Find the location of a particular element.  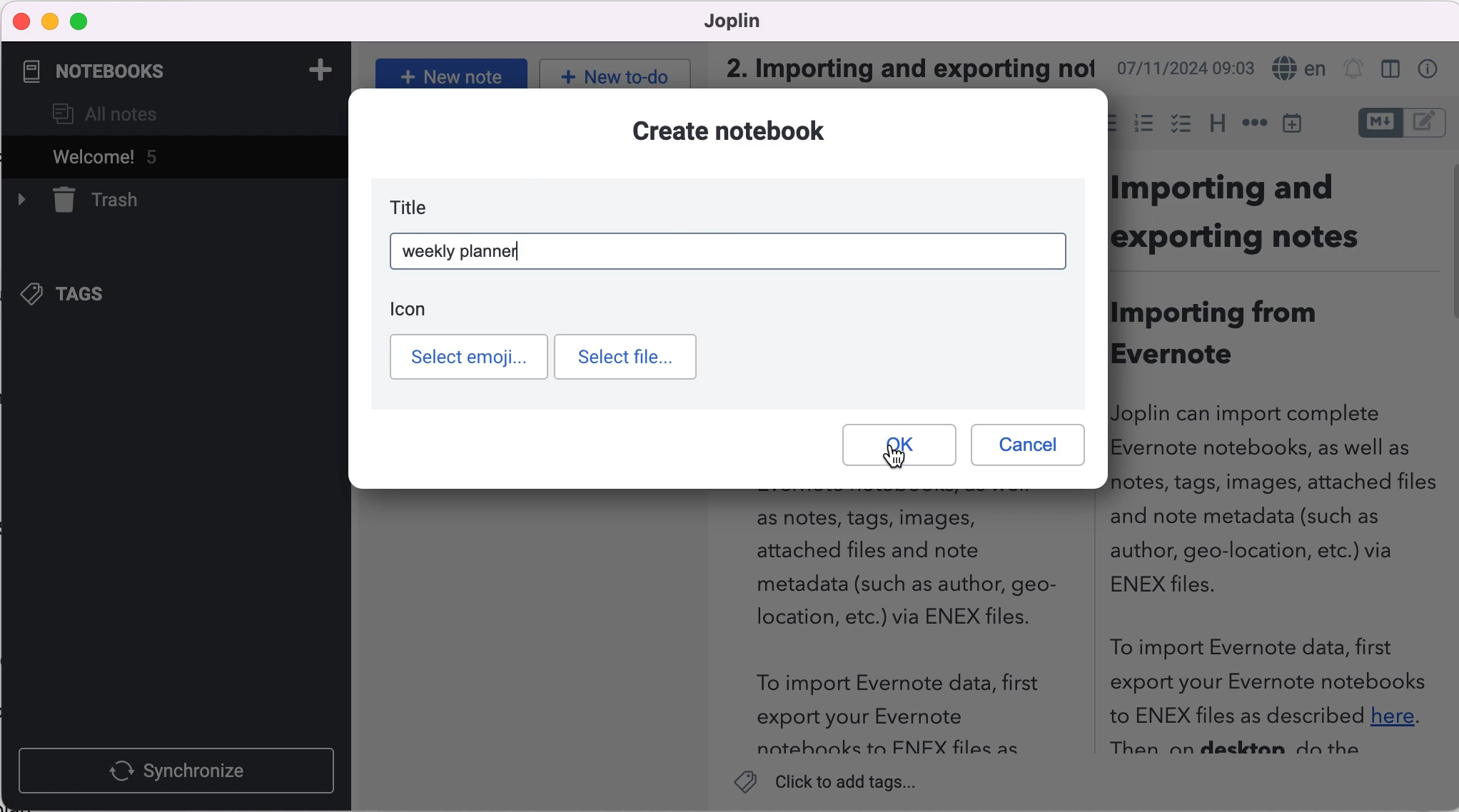

create notebook is located at coordinates (745, 133).